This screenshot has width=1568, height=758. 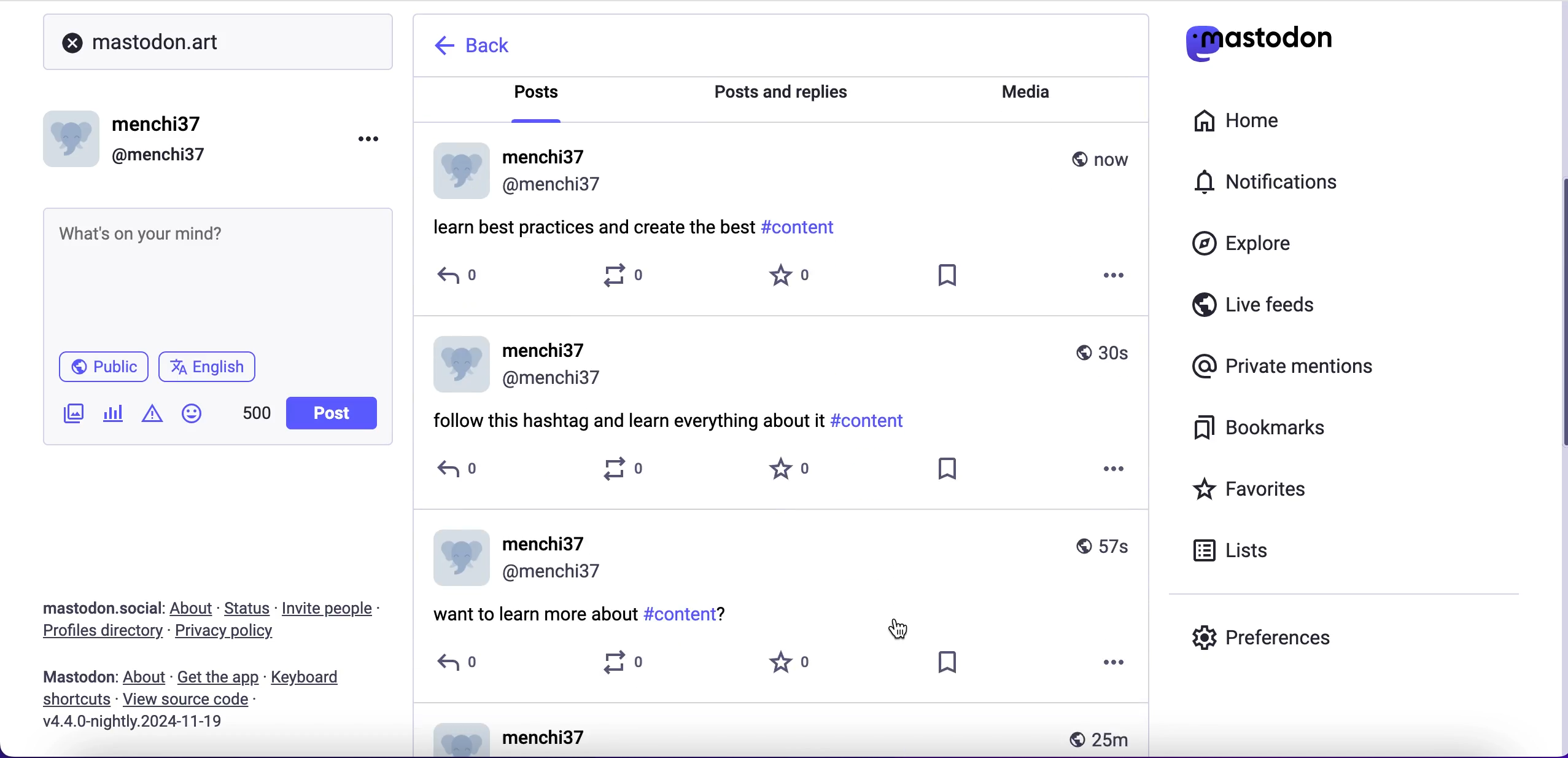 What do you see at coordinates (1103, 158) in the screenshot?
I see `now` at bounding box center [1103, 158].